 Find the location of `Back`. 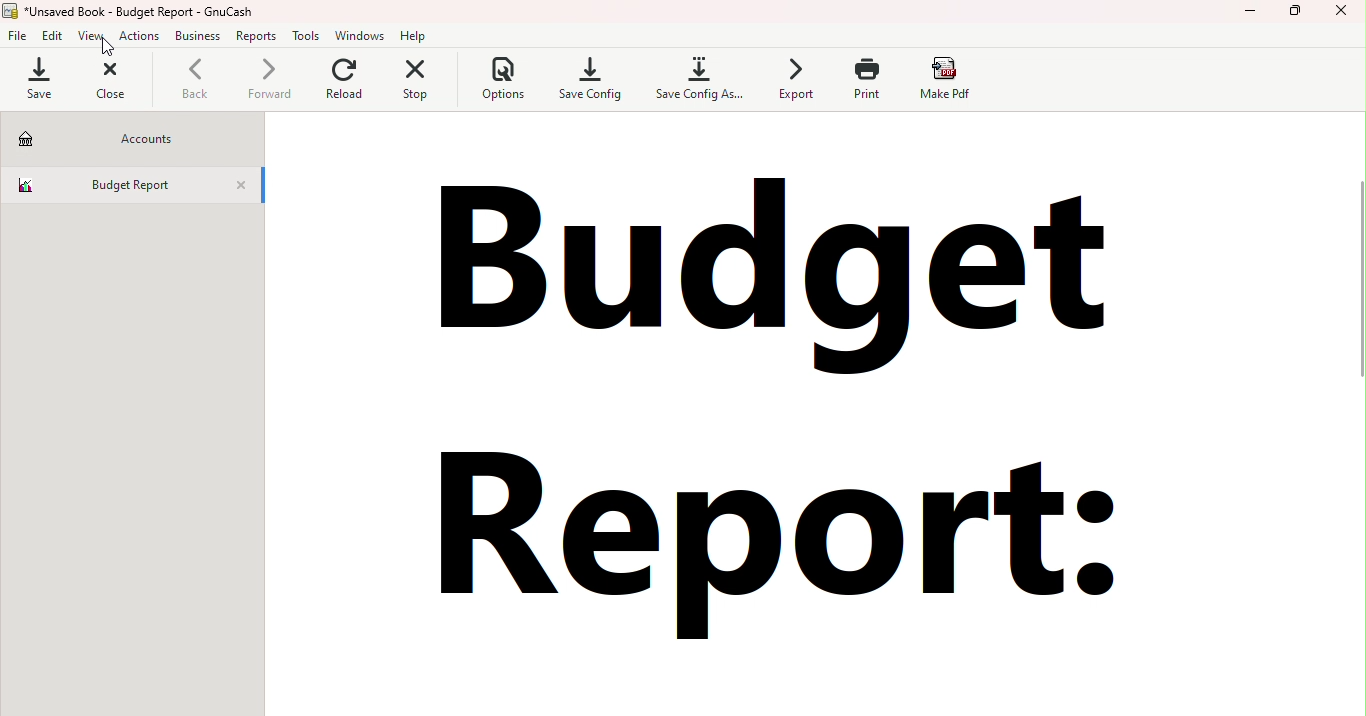

Back is located at coordinates (193, 81).